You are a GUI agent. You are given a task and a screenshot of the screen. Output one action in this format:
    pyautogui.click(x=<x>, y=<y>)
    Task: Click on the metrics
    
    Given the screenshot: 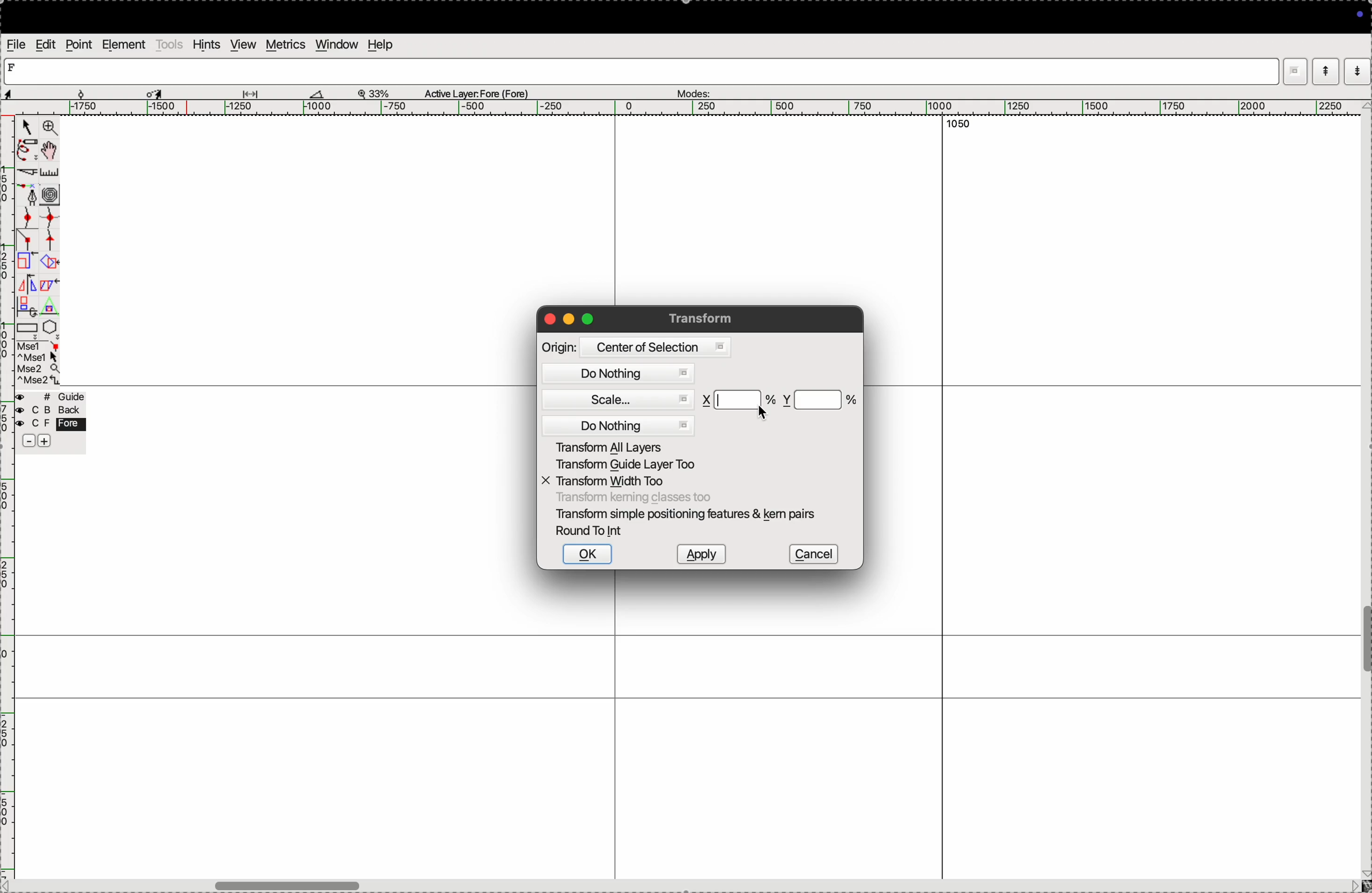 What is the action you would take?
    pyautogui.click(x=287, y=44)
    